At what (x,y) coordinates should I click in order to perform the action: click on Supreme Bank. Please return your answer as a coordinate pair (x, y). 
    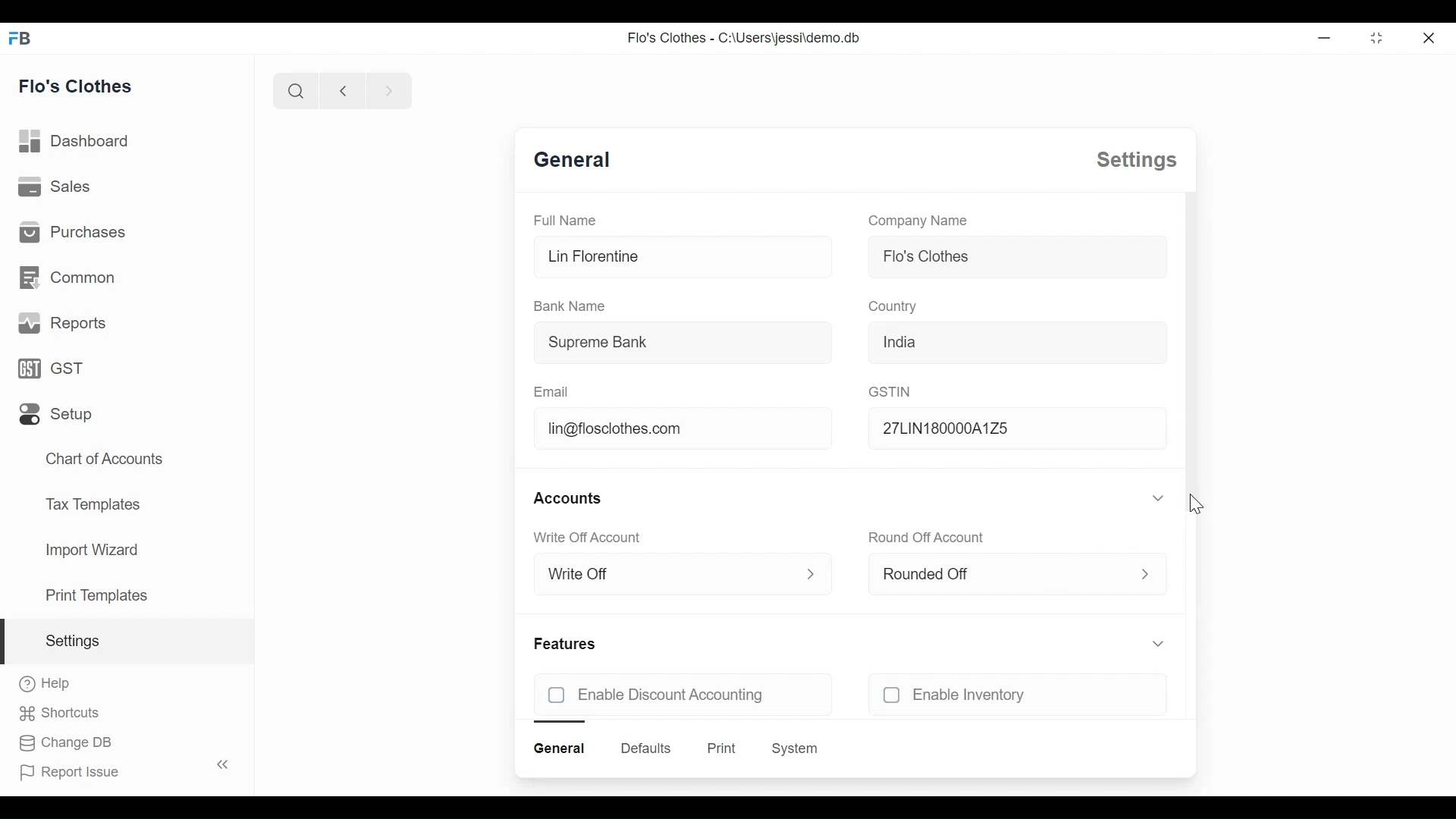
    Looking at the image, I should click on (680, 344).